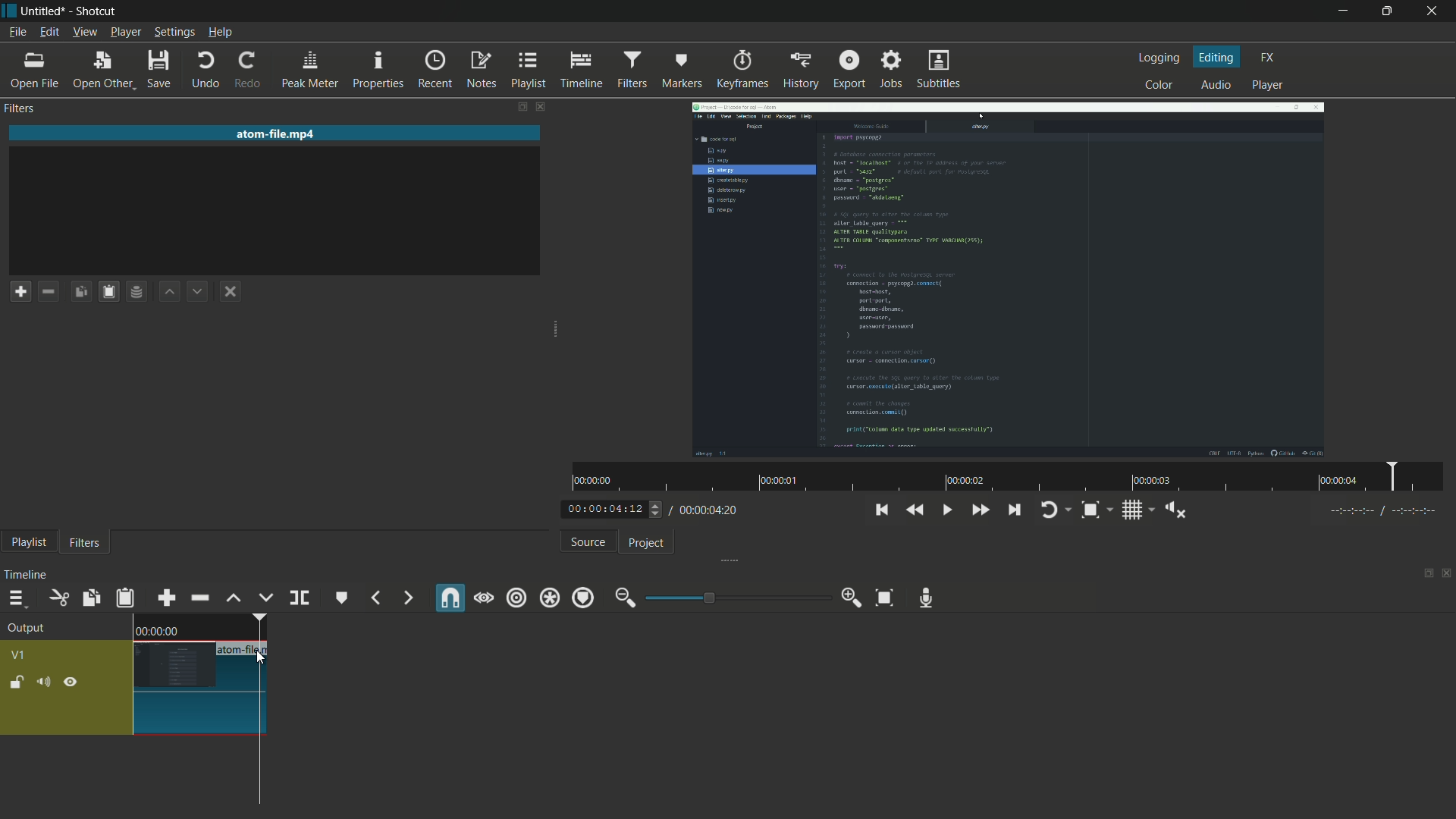 The height and width of the screenshot is (819, 1456). Describe the element at coordinates (16, 680) in the screenshot. I see `lock` at that location.